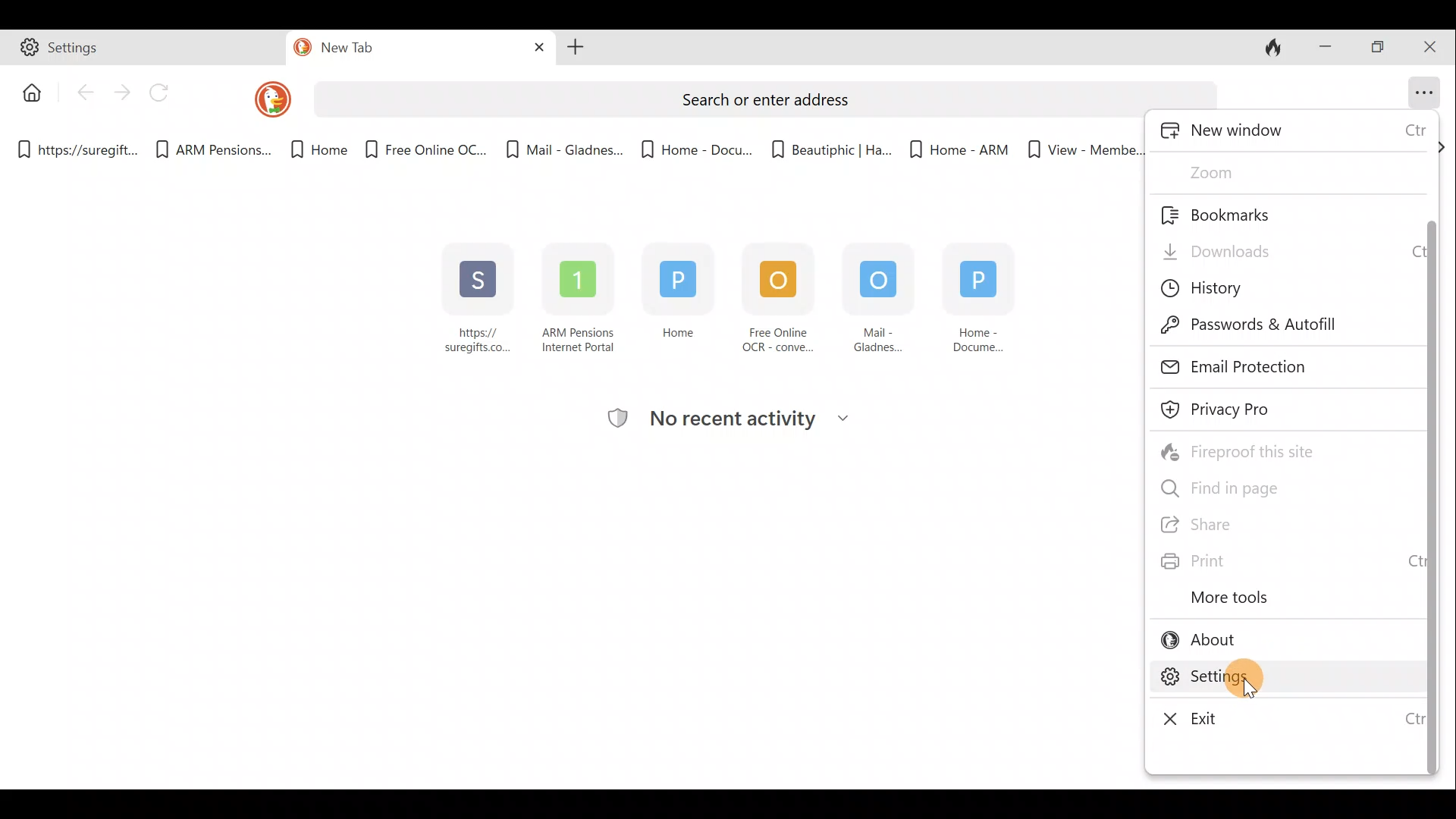  Describe the element at coordinates (1430, 462) in the screenshot. I see `Scroll bar` at that location.